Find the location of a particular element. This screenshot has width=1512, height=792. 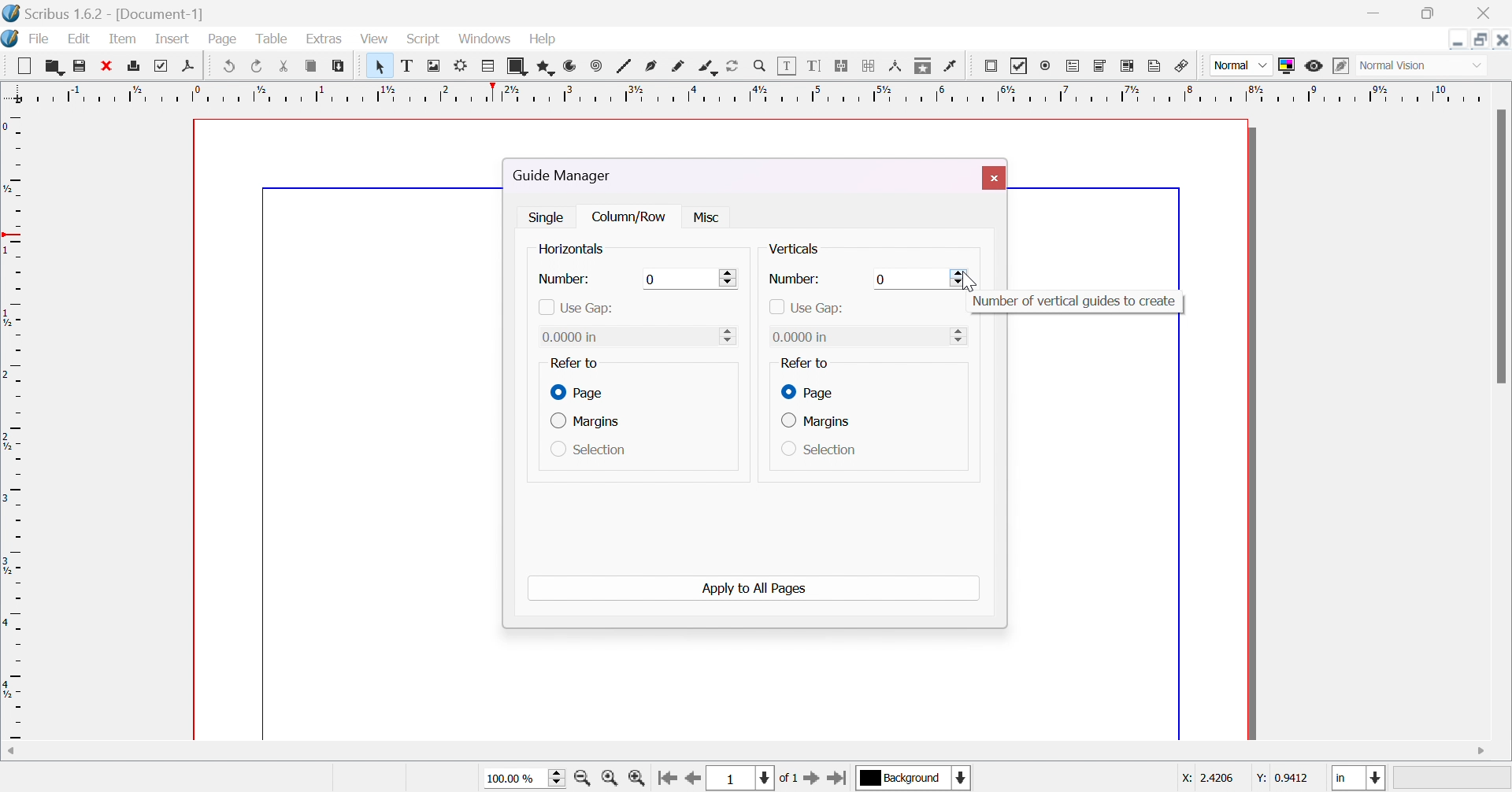

Normal is located at coordinates (1240, 65).